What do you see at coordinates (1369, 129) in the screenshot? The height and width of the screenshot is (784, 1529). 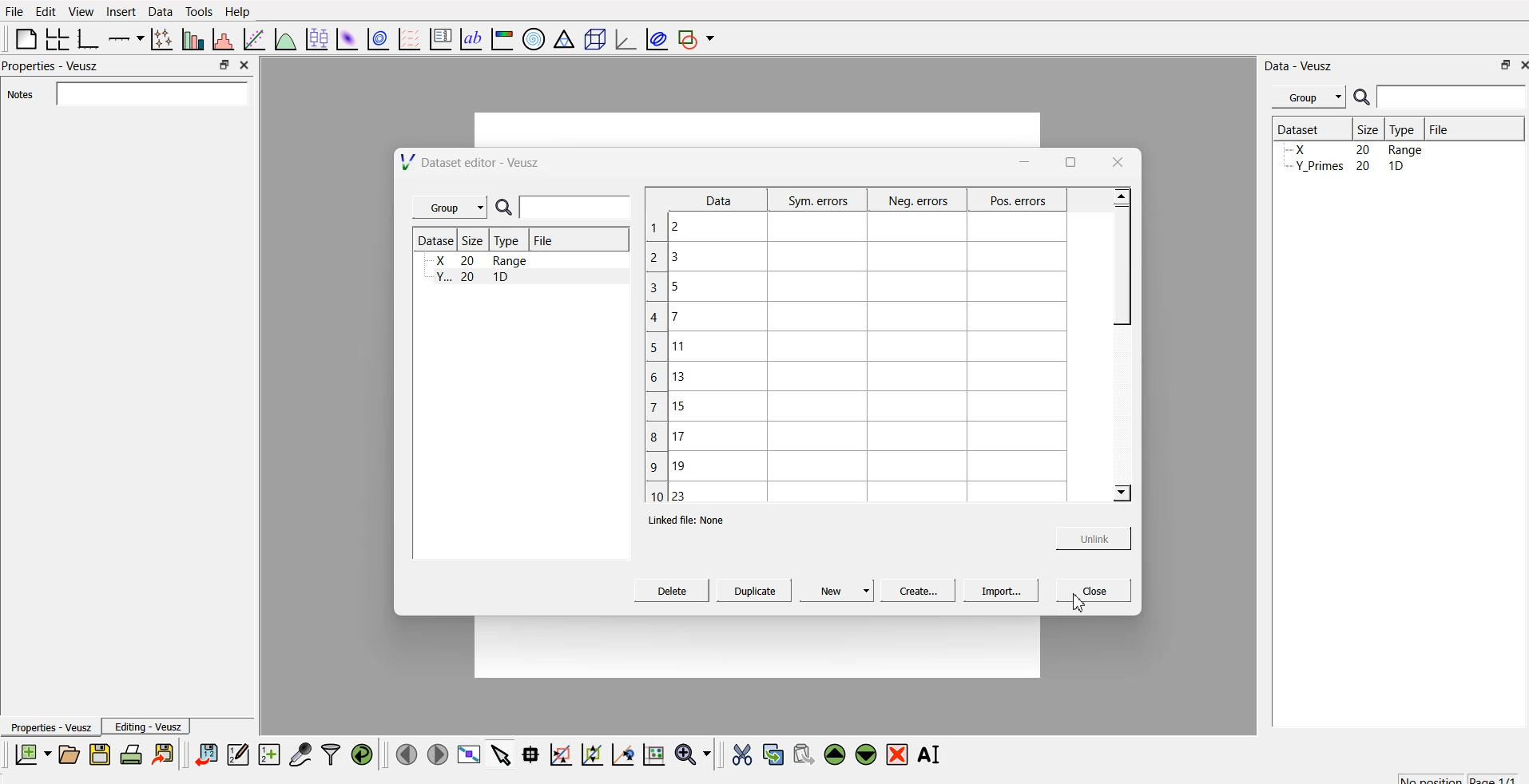 I see `| Size` at bounding box center [1369, 129].